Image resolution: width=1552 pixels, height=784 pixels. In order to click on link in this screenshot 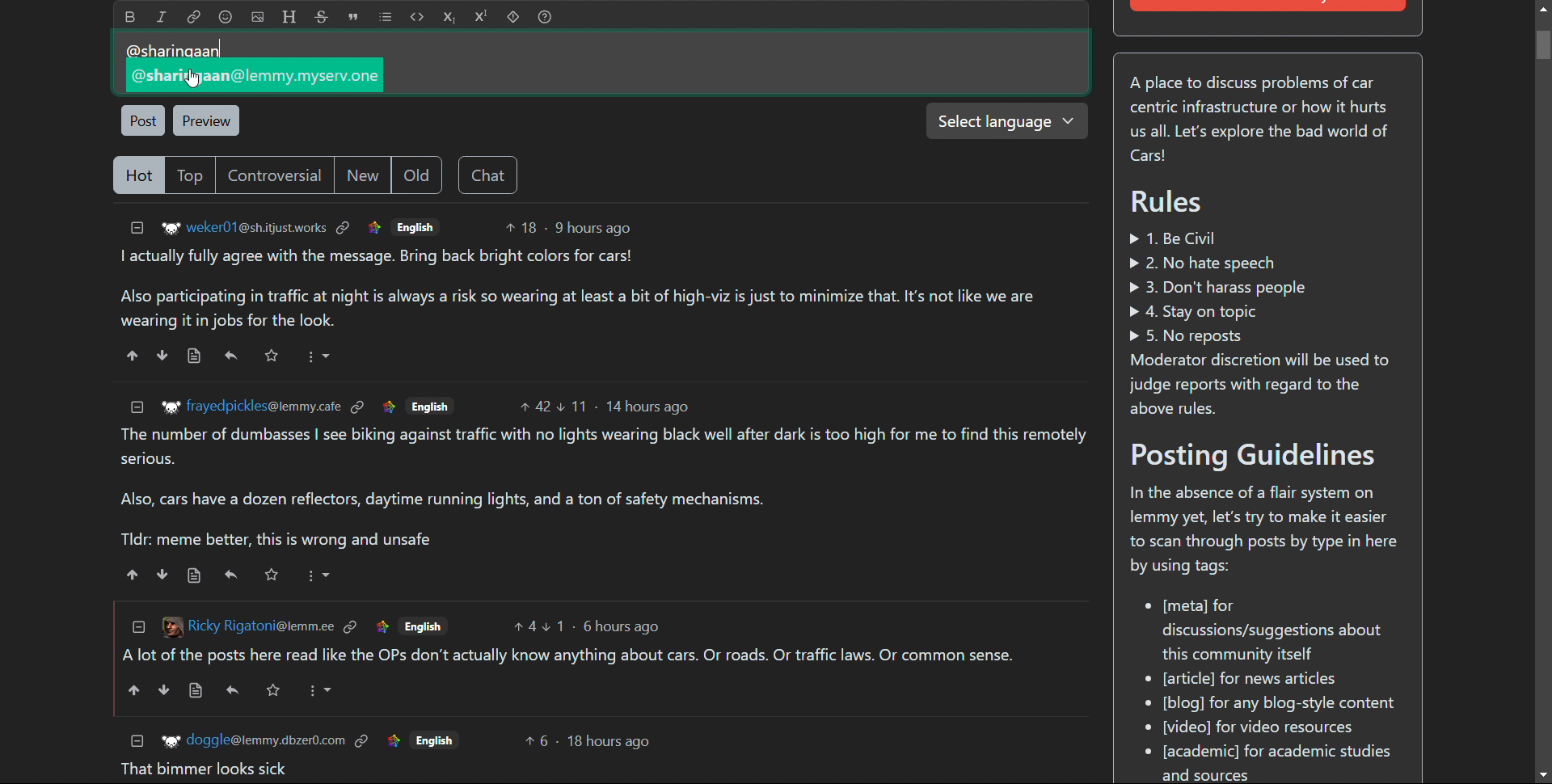, I will do `click(392, 740)`.